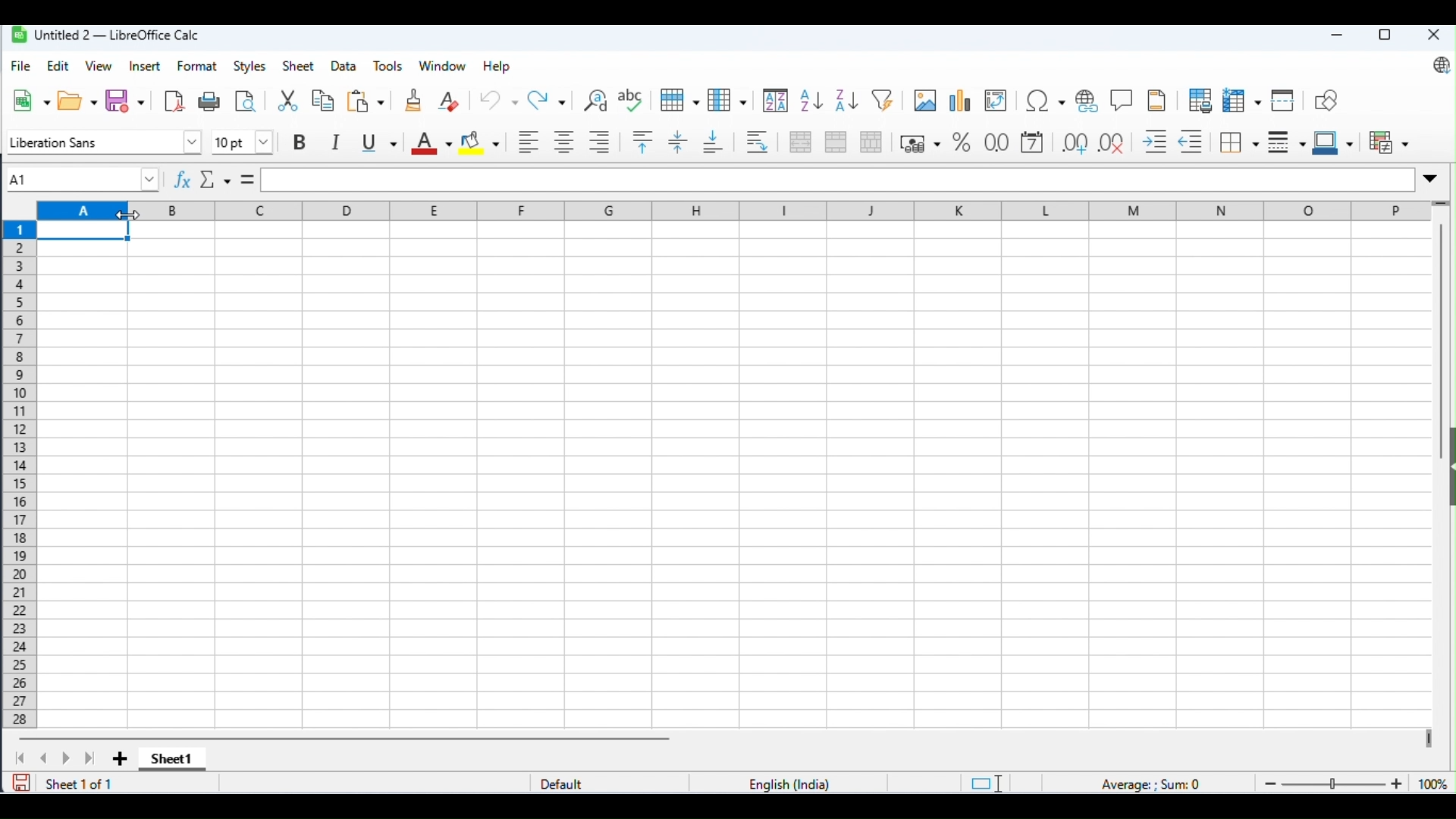  Describe the element at coordinates (1428, 736) in the screenshot. I see `drag to view next columns` at that location.